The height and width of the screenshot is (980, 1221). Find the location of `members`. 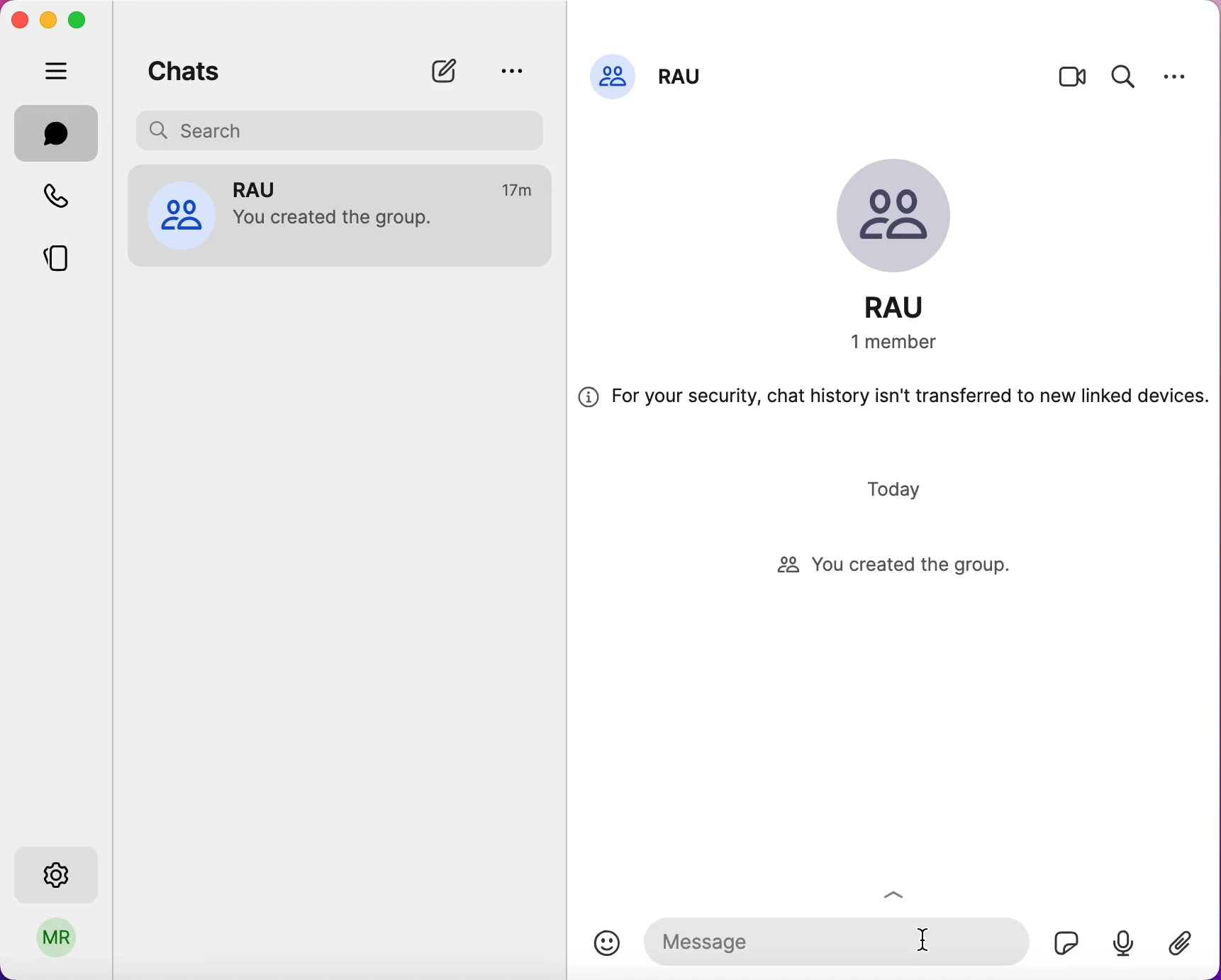

members is located at coordinates (910, 343).